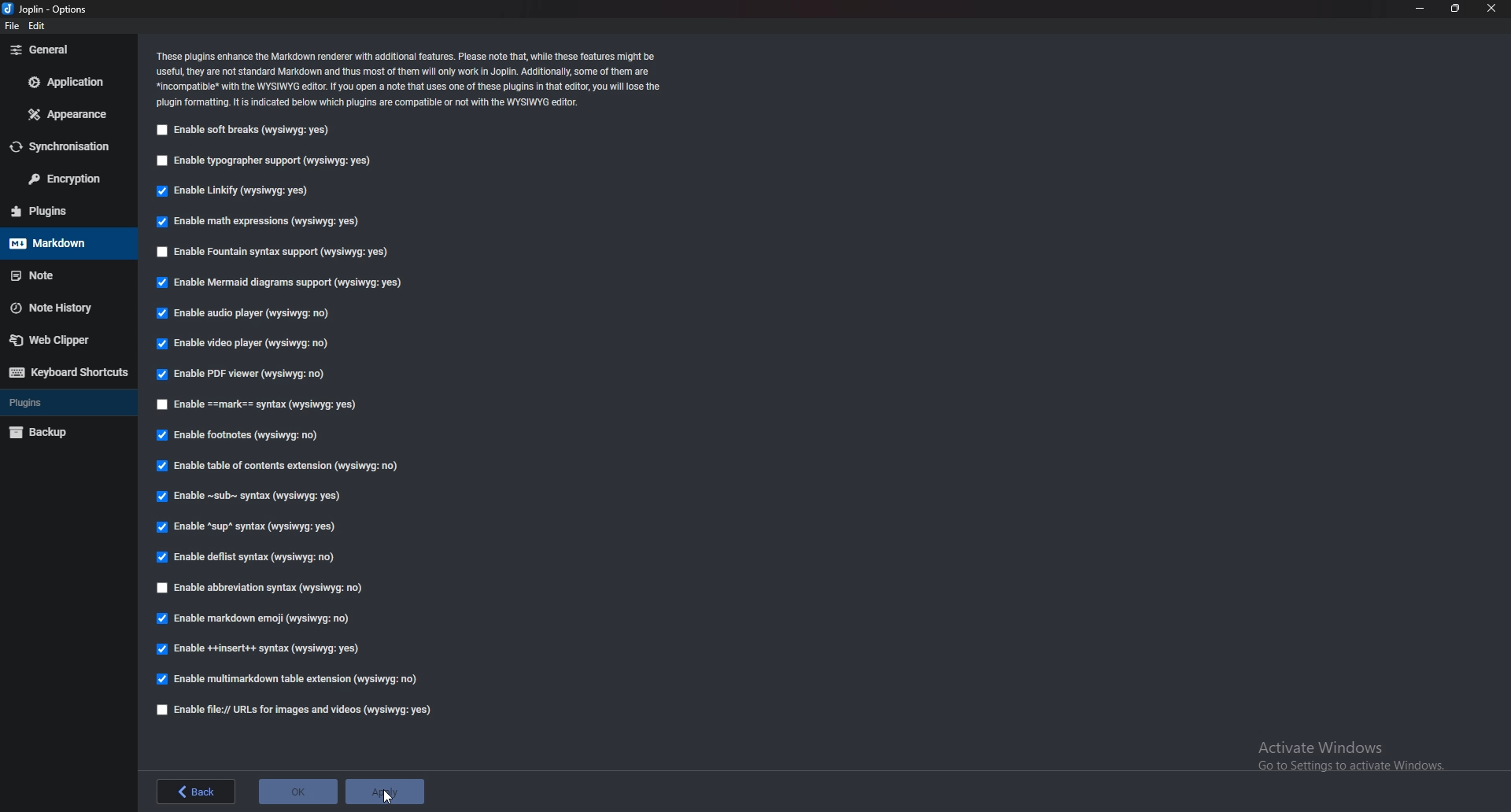 The width and height of the screenshot is (1511, 812). What do you see at coordinates (65, 50) in the screenshot?
I see `General` at bounding box center [65, 50].